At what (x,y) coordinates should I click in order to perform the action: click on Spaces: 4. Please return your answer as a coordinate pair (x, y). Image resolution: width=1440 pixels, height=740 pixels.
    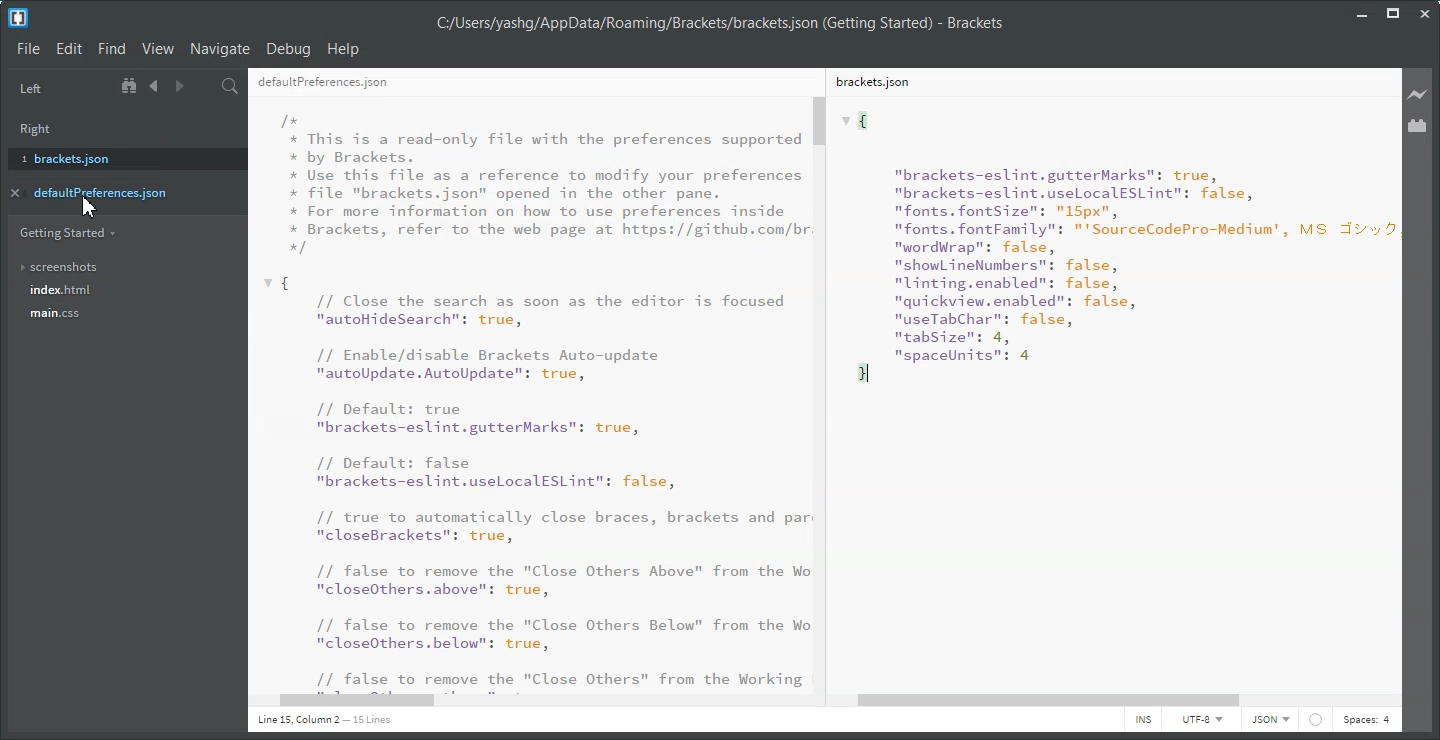
    Looking at the image, I should click on (1366, 721).